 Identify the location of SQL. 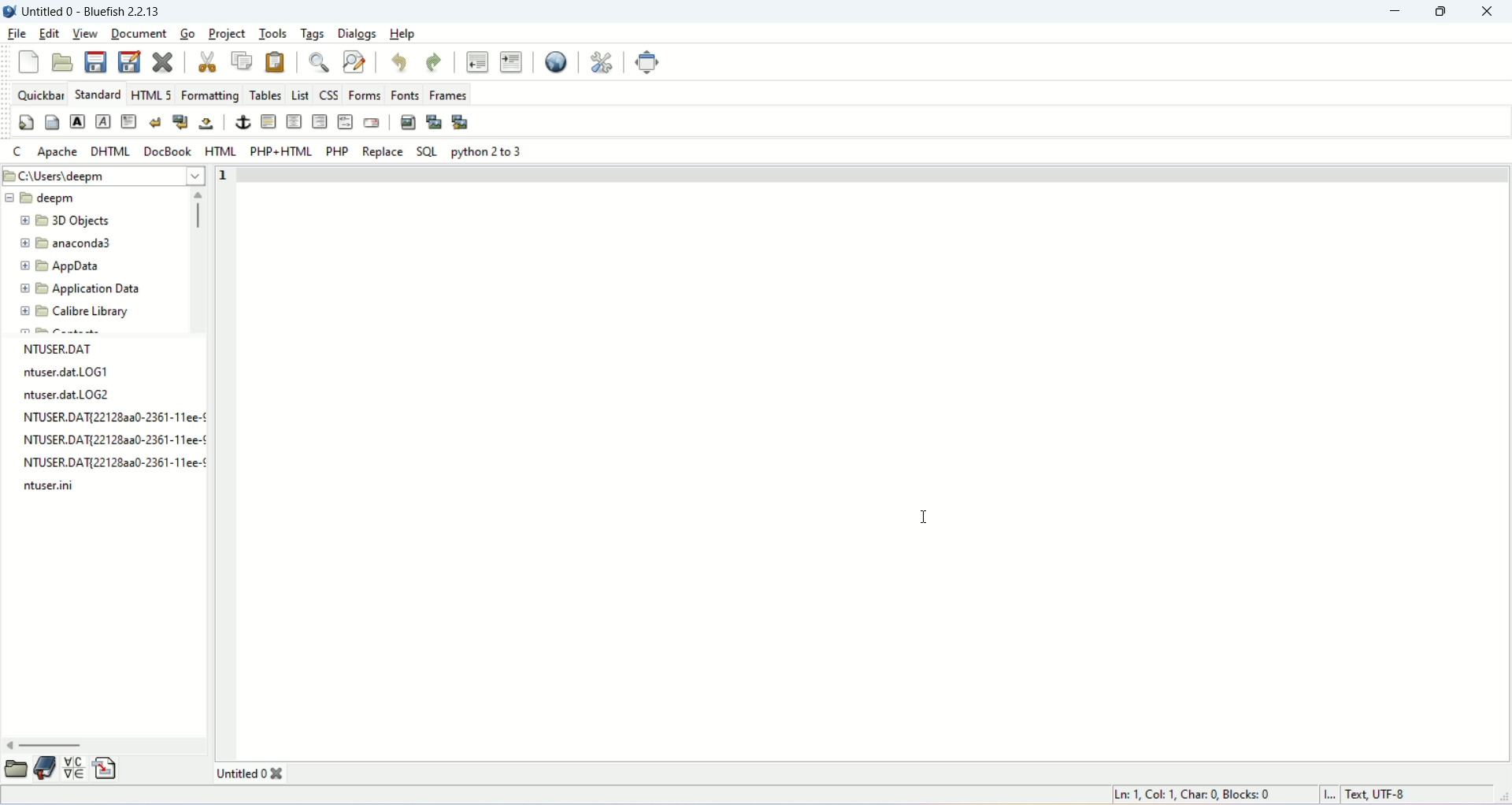
(427, 151).